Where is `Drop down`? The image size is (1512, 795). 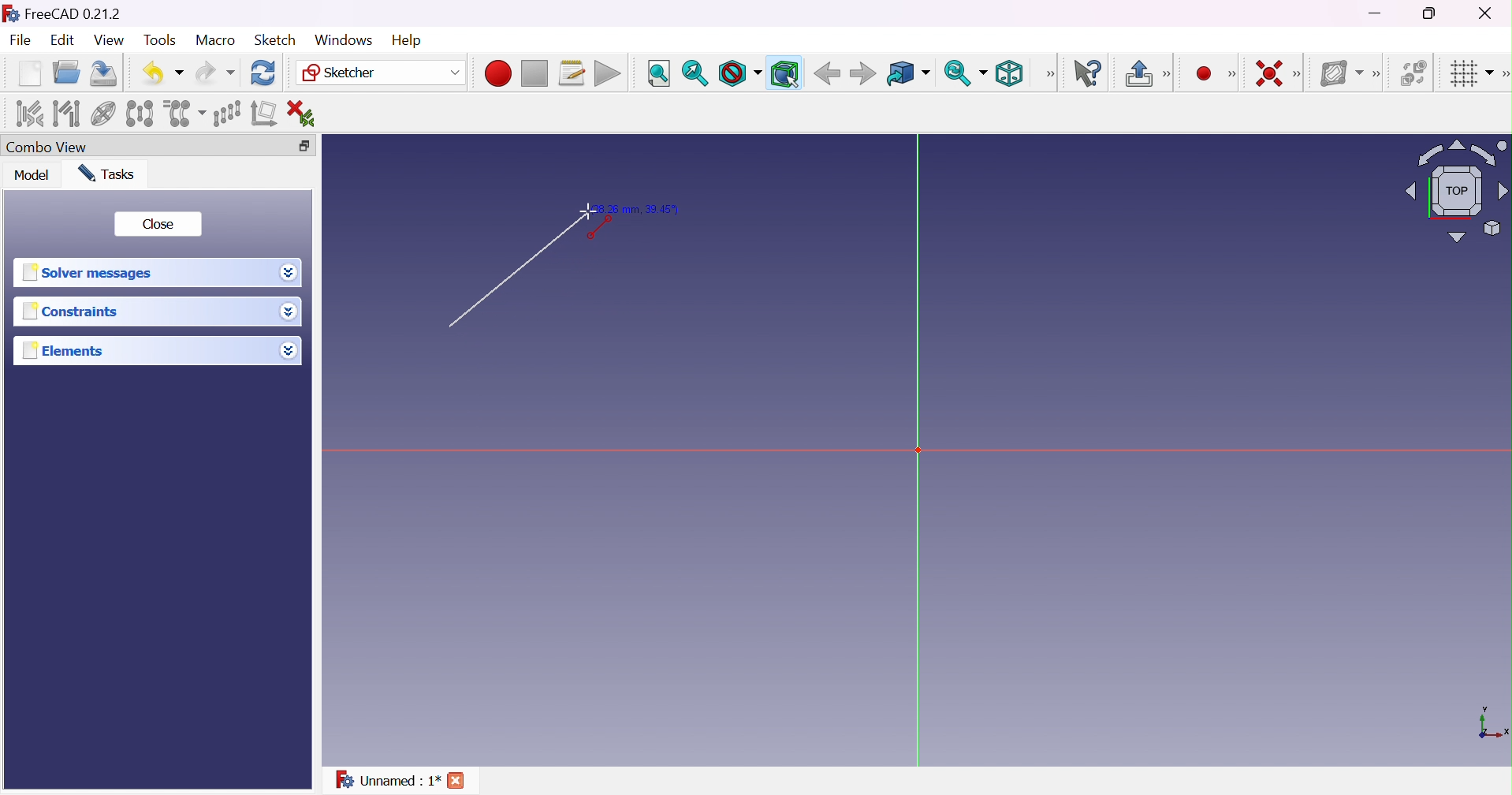
Drop down is located at coordinates (289, 312).